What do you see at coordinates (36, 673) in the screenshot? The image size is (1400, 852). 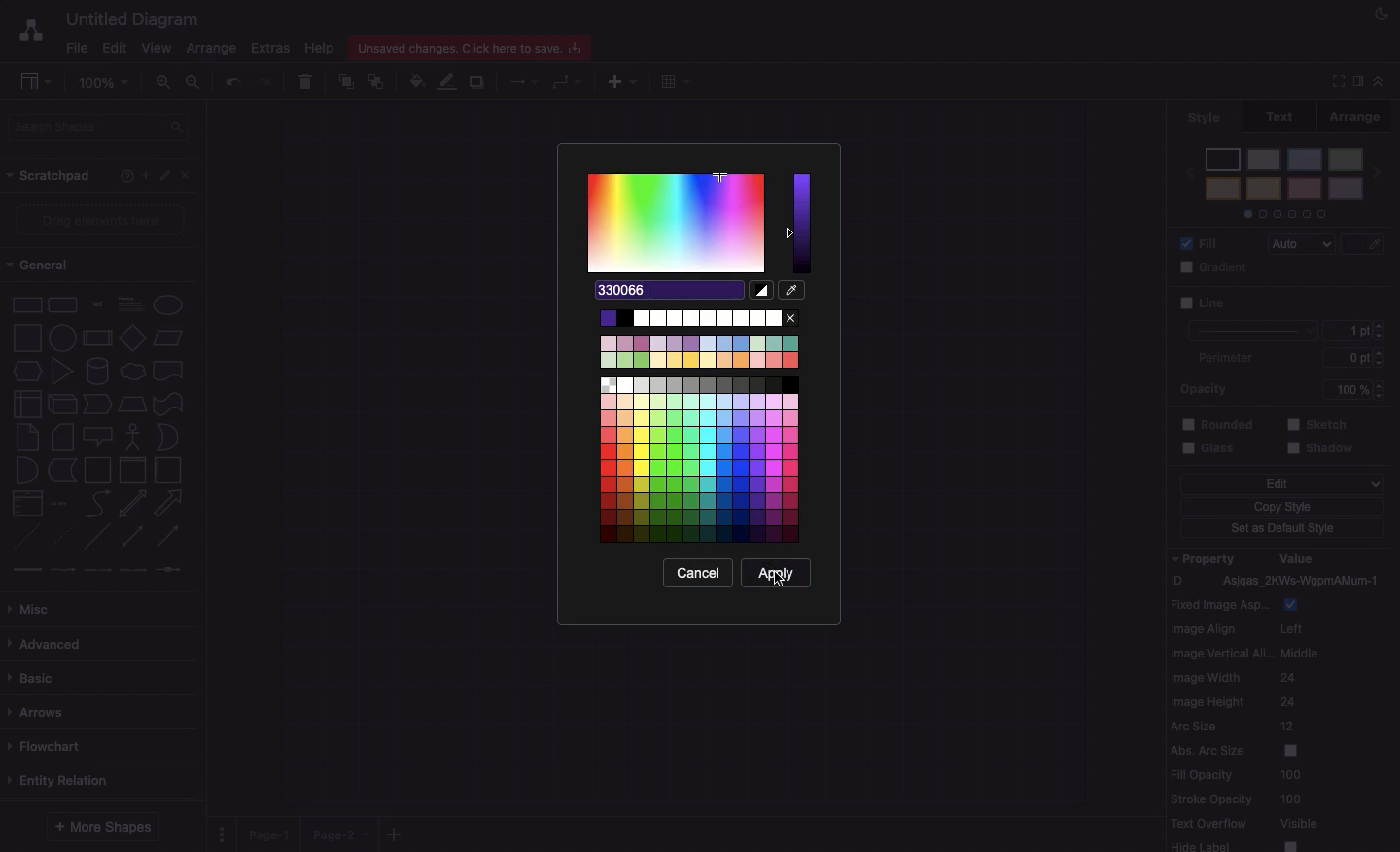 I see `Basic` at bounding box center [36, 673].